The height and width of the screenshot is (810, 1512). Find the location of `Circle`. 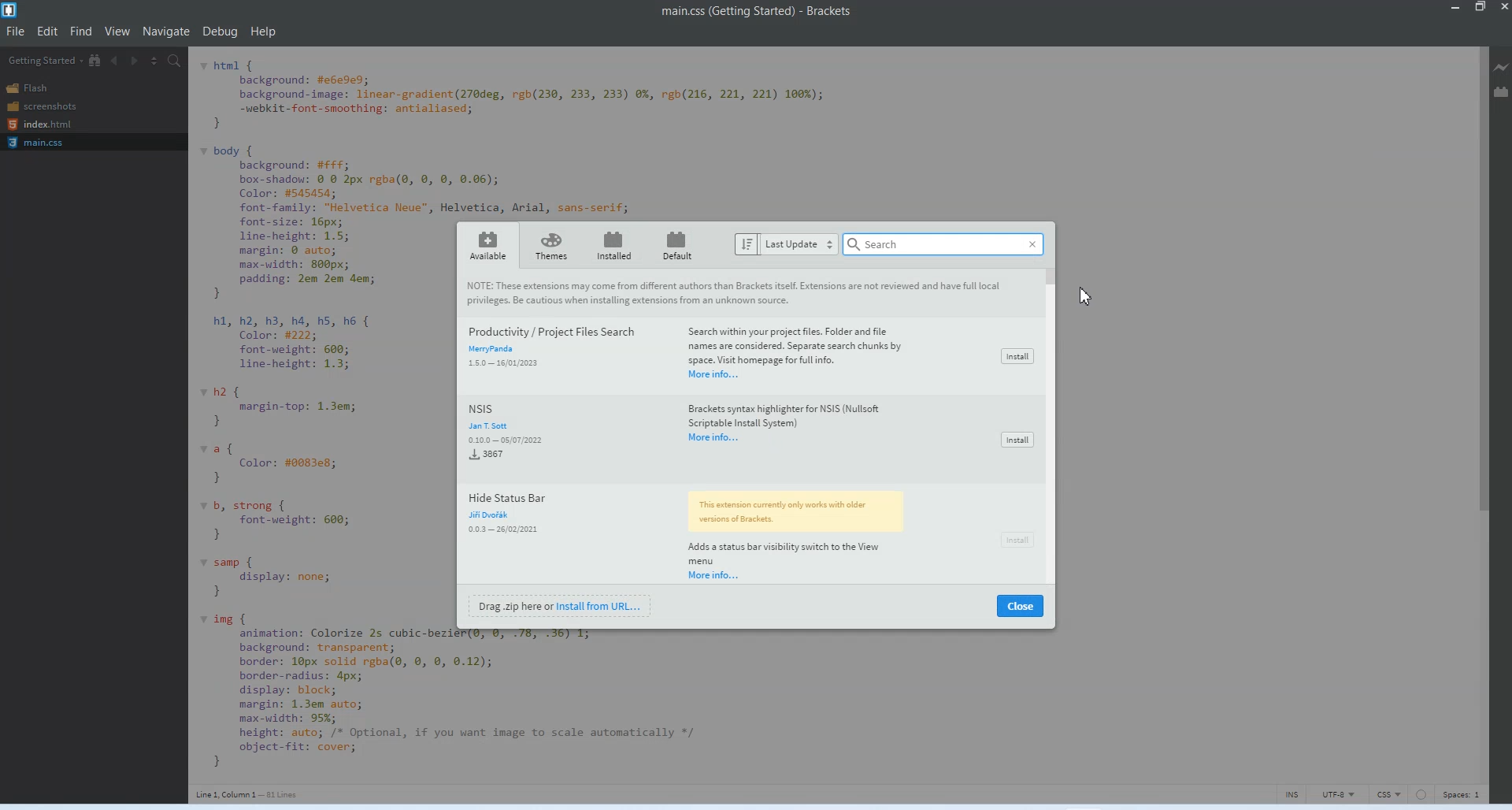

Circle is located at coordinates (1422, 793).